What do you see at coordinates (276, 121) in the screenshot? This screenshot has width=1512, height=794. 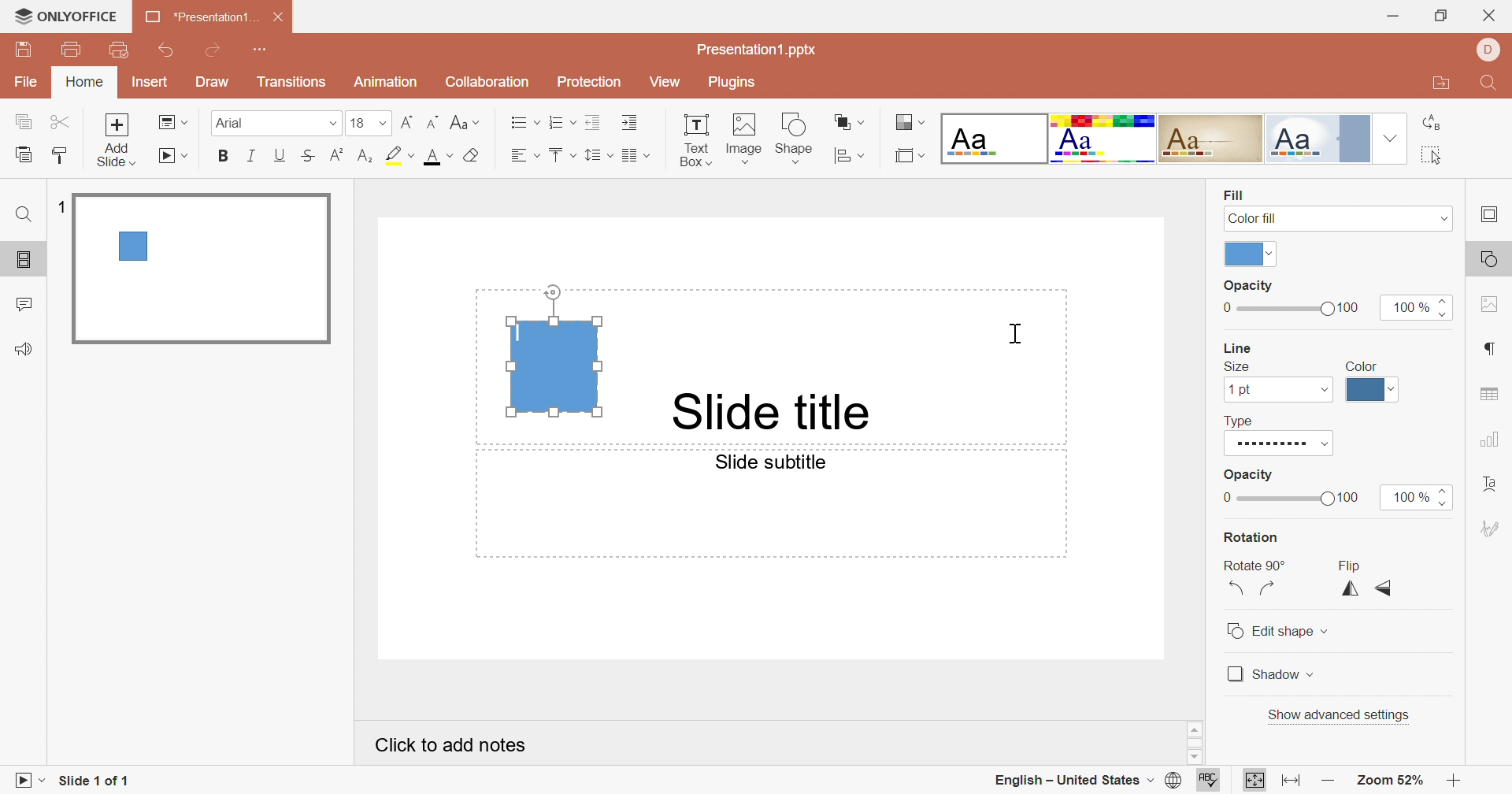 I see `Font` at bounding box center [276, 121].